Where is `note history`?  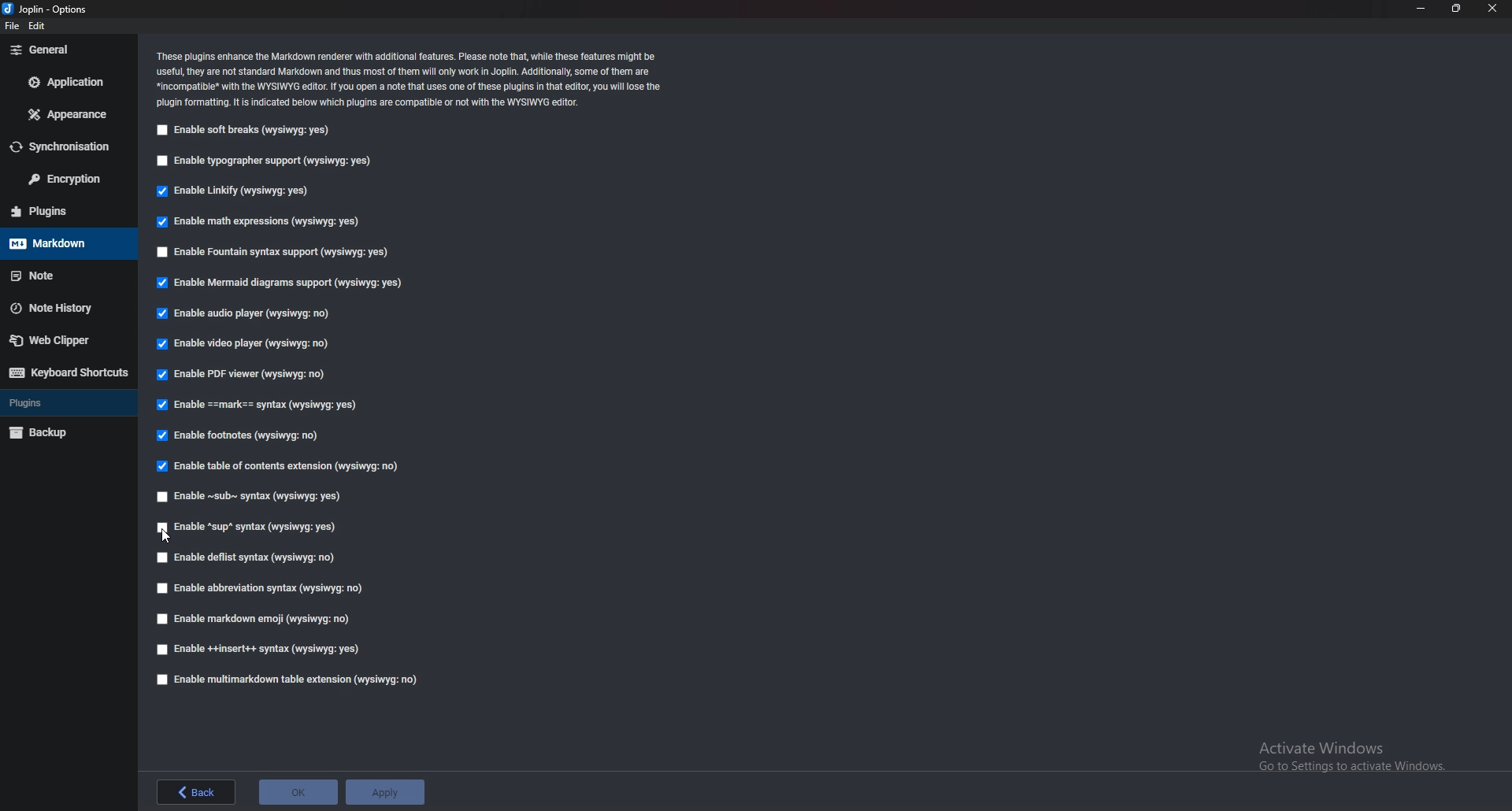
note history is located at coordinates (66, 308).